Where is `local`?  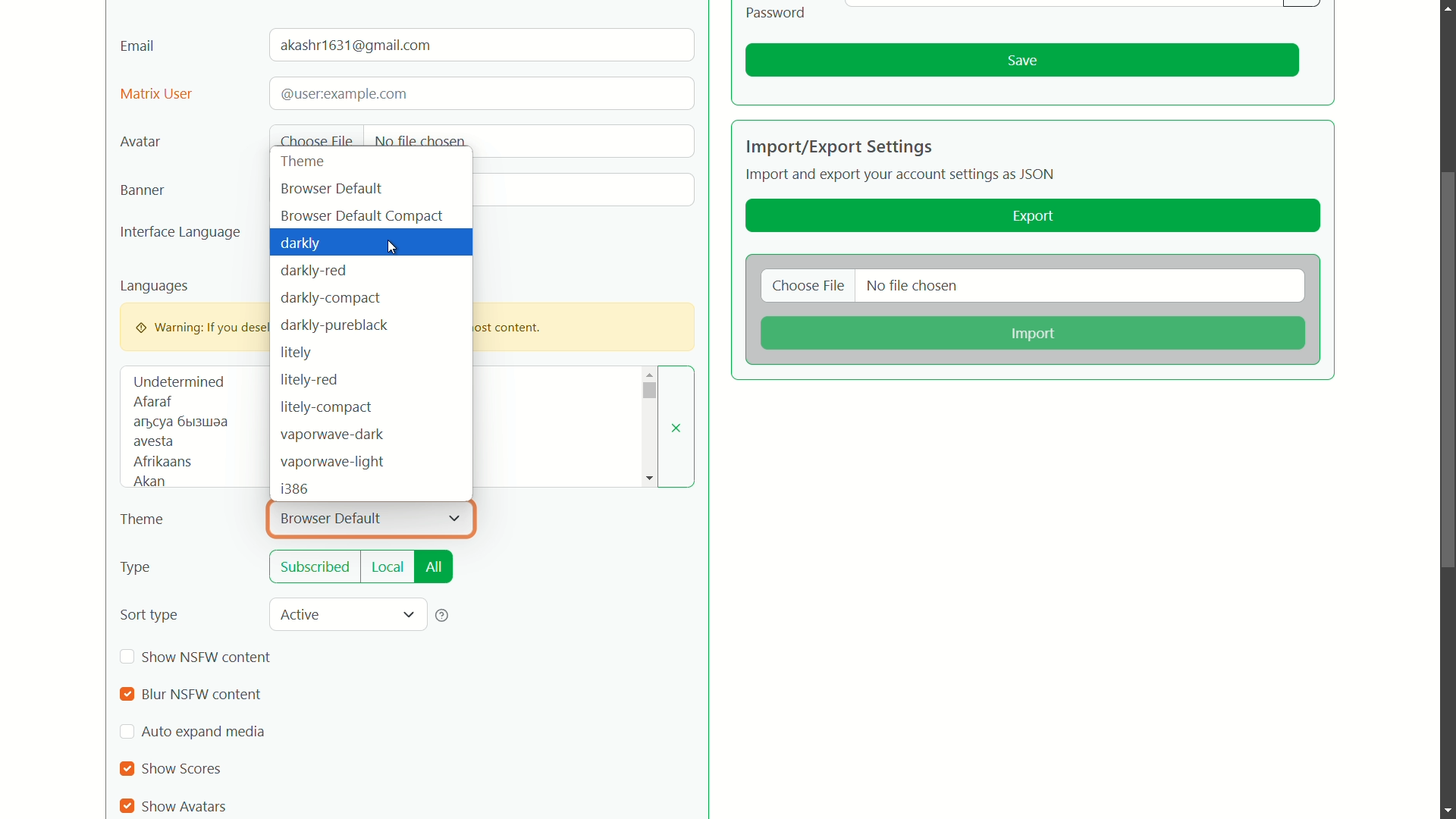 local is located at coordinates (388, 570).